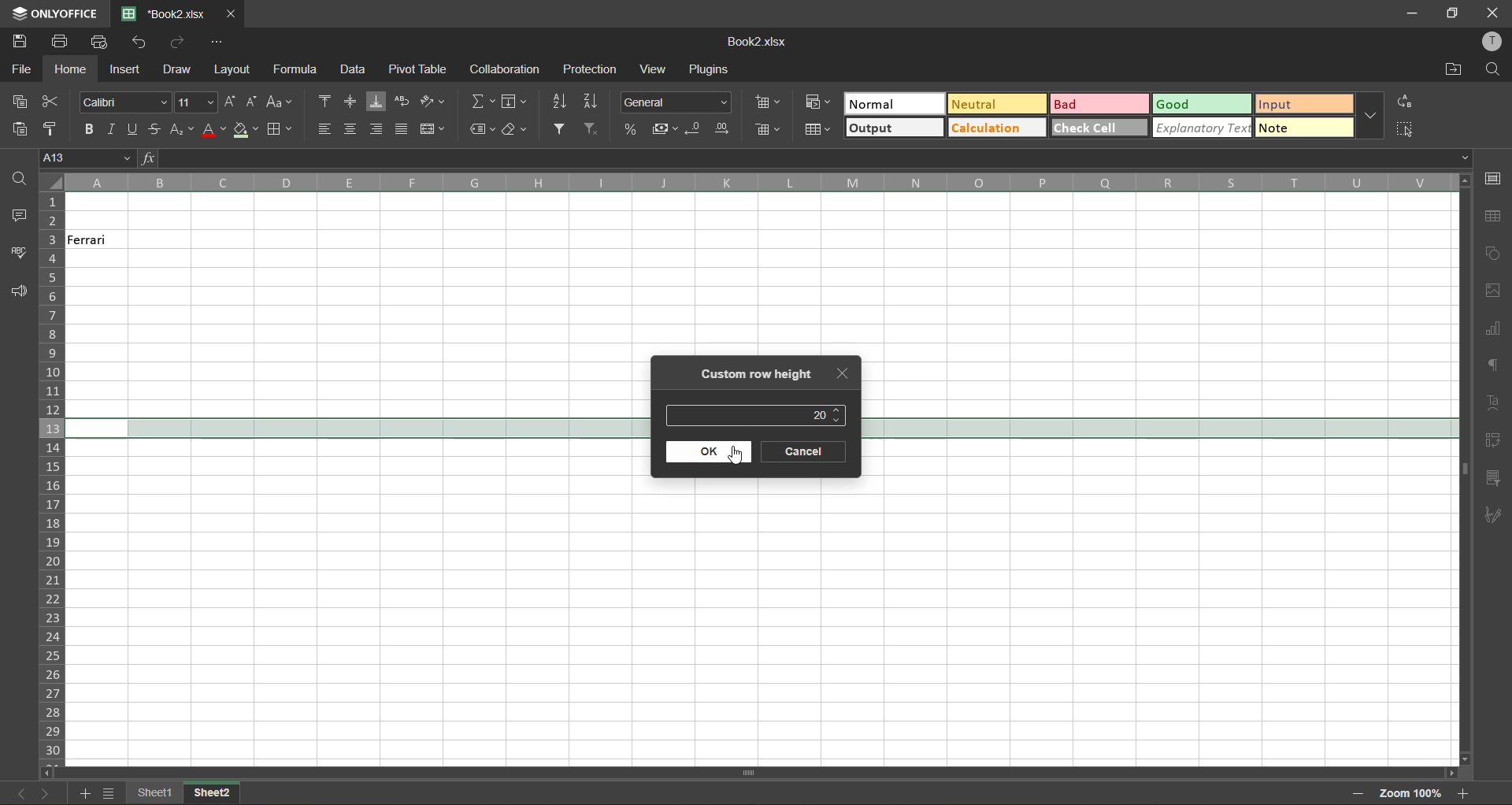 This screenshot has height=805, width=1512. I want to click on quick print, so click(102, 43).